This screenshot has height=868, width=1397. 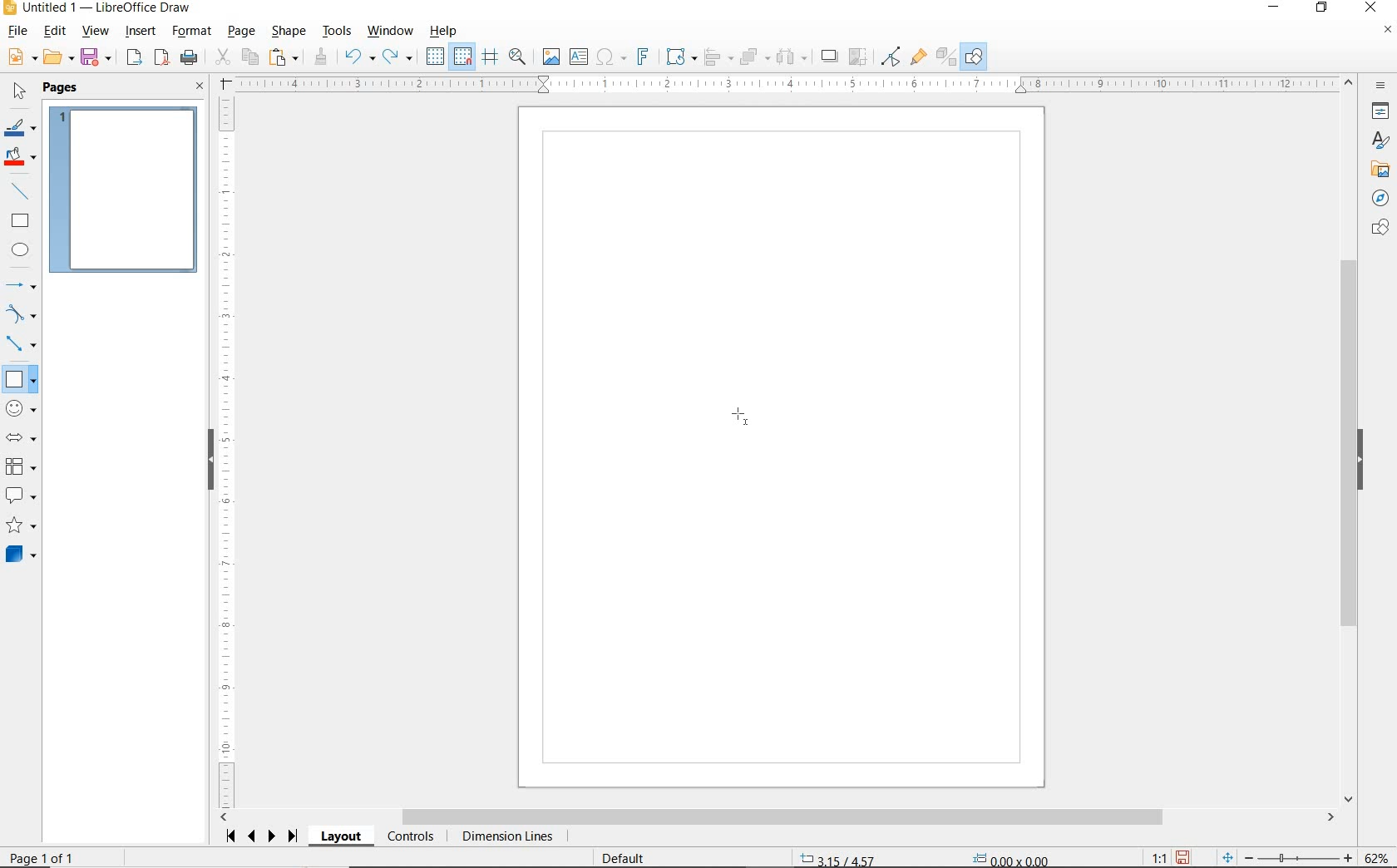 What do you see at coordinates (22, 191) in the screenshot?
I see `INSERT LINE` at bounding box center [22, 191].